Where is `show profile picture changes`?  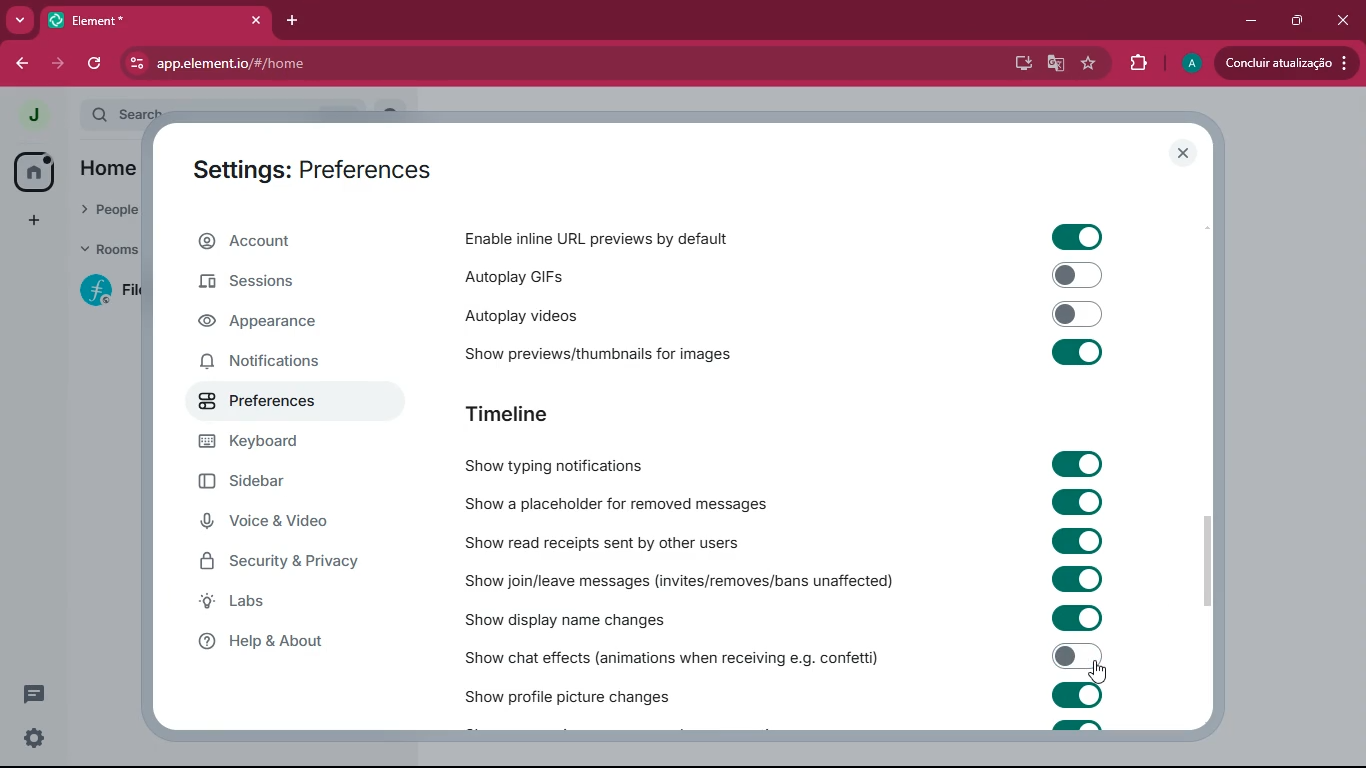 show profile picture changes is located at coordinates (570, 692).